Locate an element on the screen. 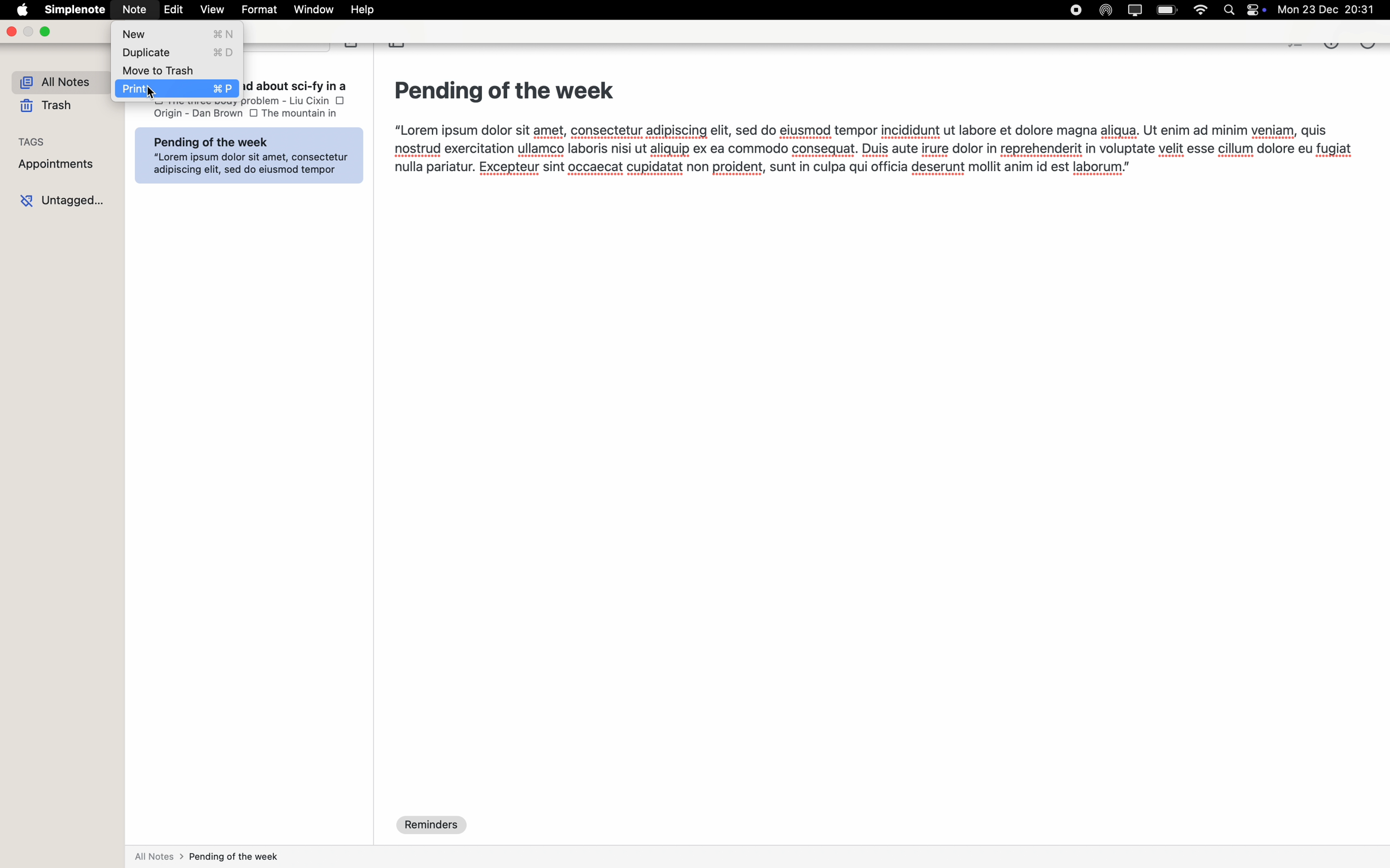 Image resolution: width=1390 pixels, height=868 pixels. create note is located at coordinates (352, 48).